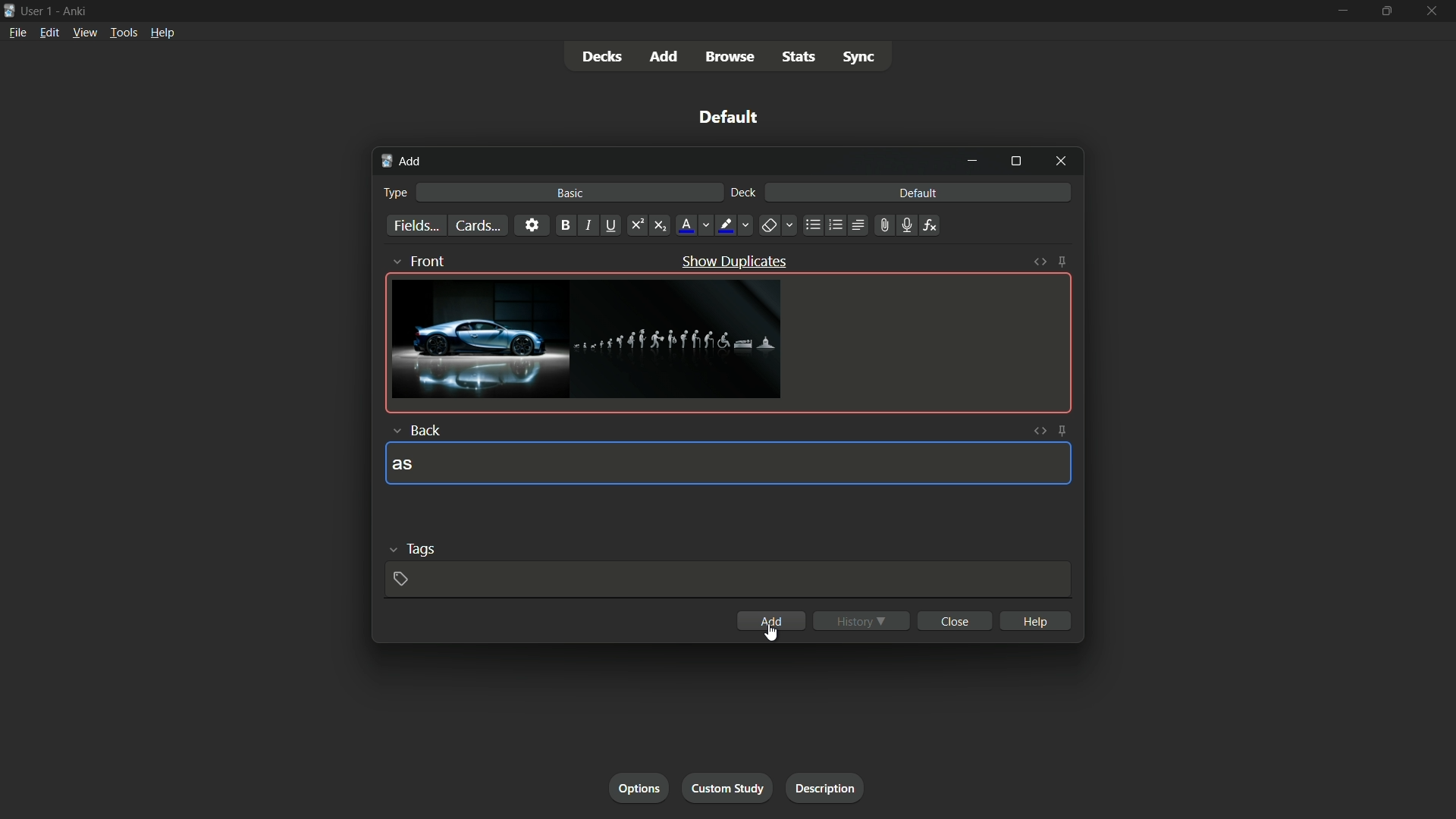 Image resolution: width=1456 pixels, height=819 pixels. I want to click on tools menu, so click(121, 33).